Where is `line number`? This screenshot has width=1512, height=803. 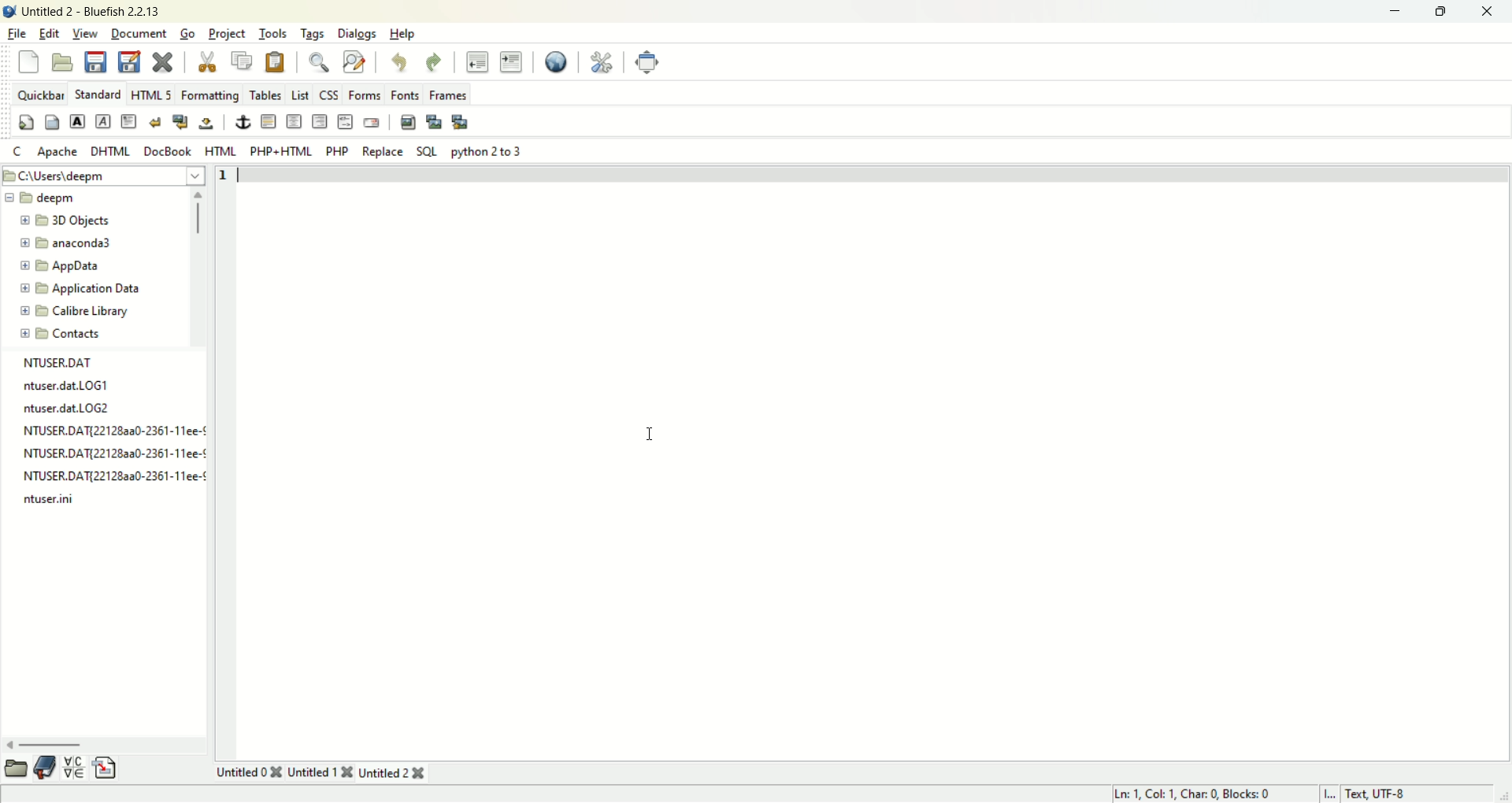 line number is located at coordinates (228, 178).